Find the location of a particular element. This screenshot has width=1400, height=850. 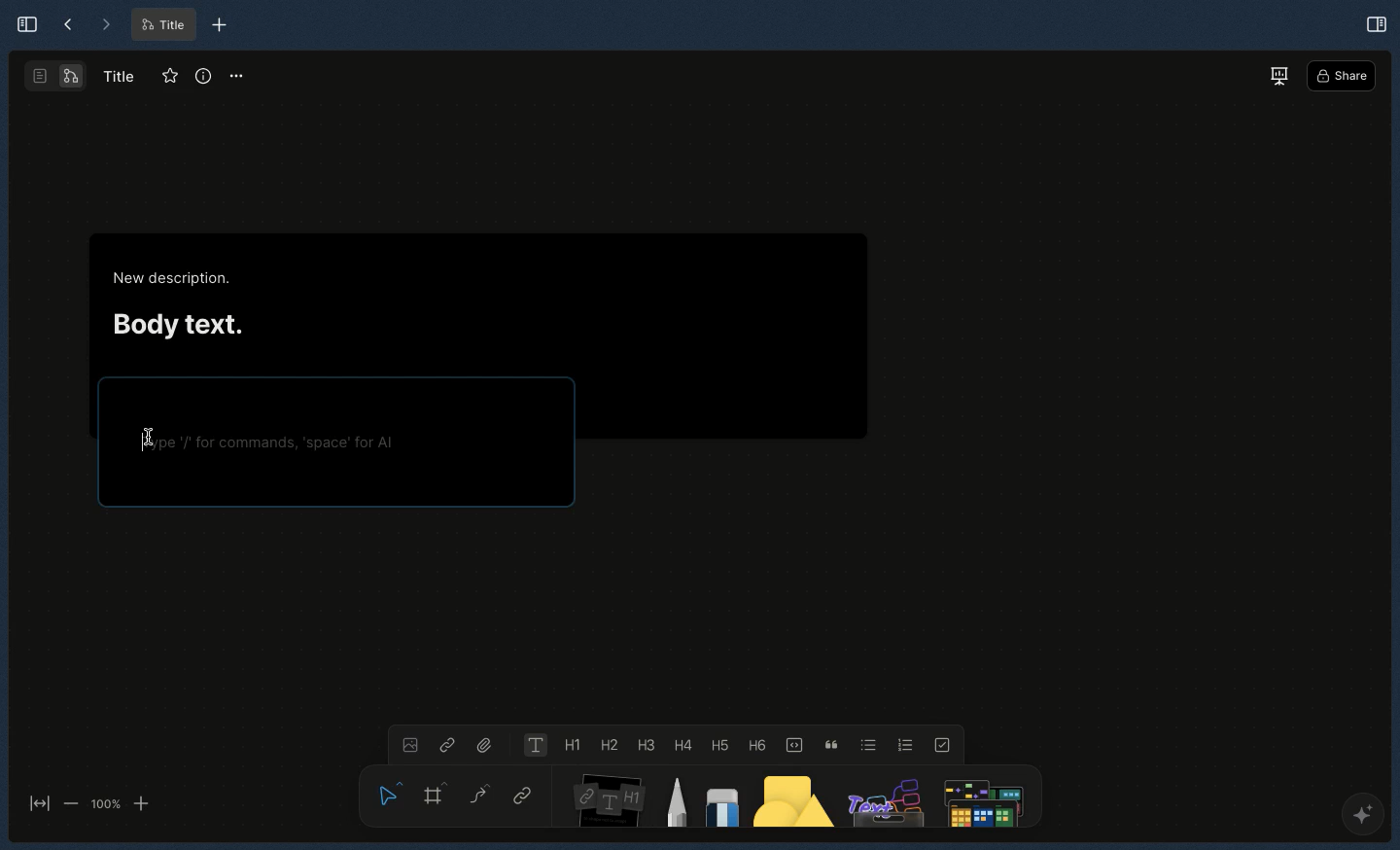

Text is located at coordinates (533, 745).